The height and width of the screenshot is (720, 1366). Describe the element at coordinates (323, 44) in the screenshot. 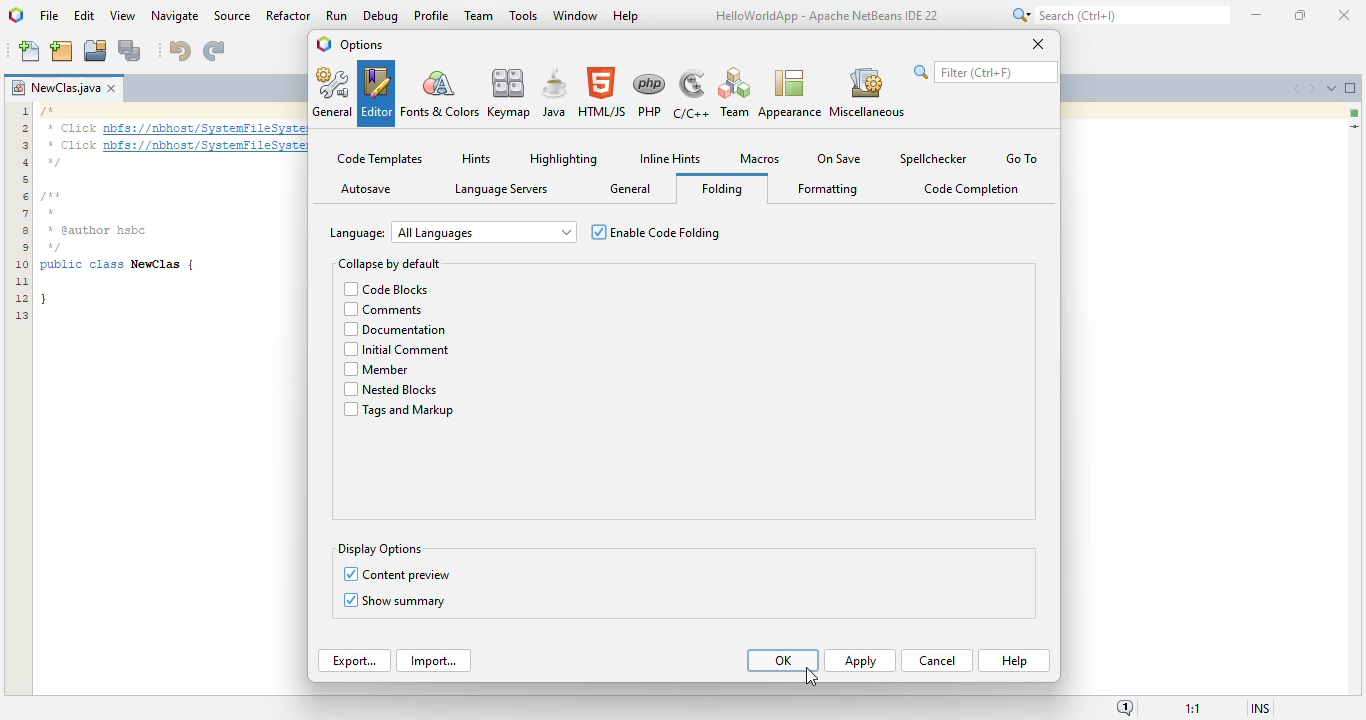

I see `logo` at that location.